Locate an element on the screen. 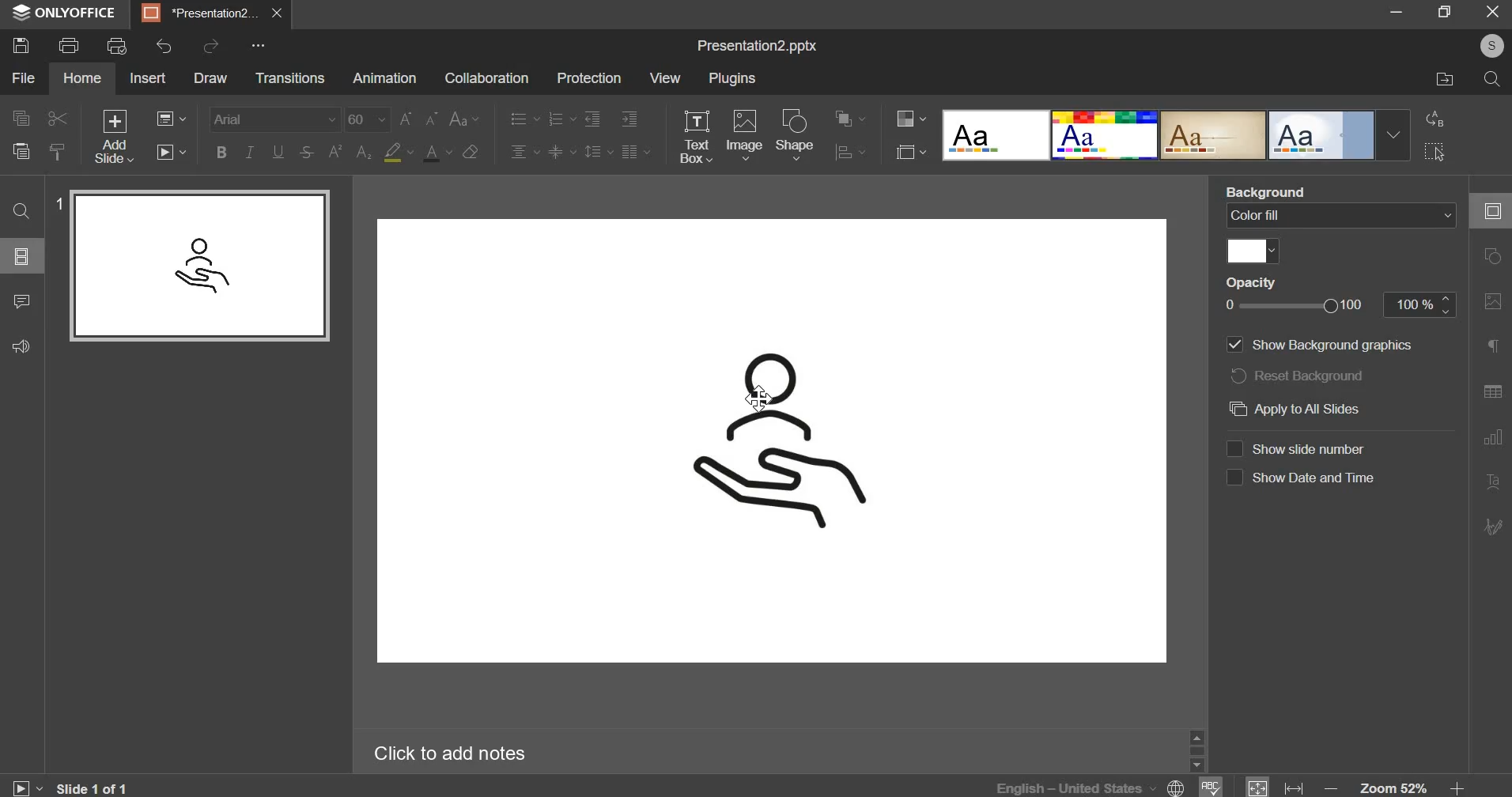  file location is located at coordinates (1443, 81).